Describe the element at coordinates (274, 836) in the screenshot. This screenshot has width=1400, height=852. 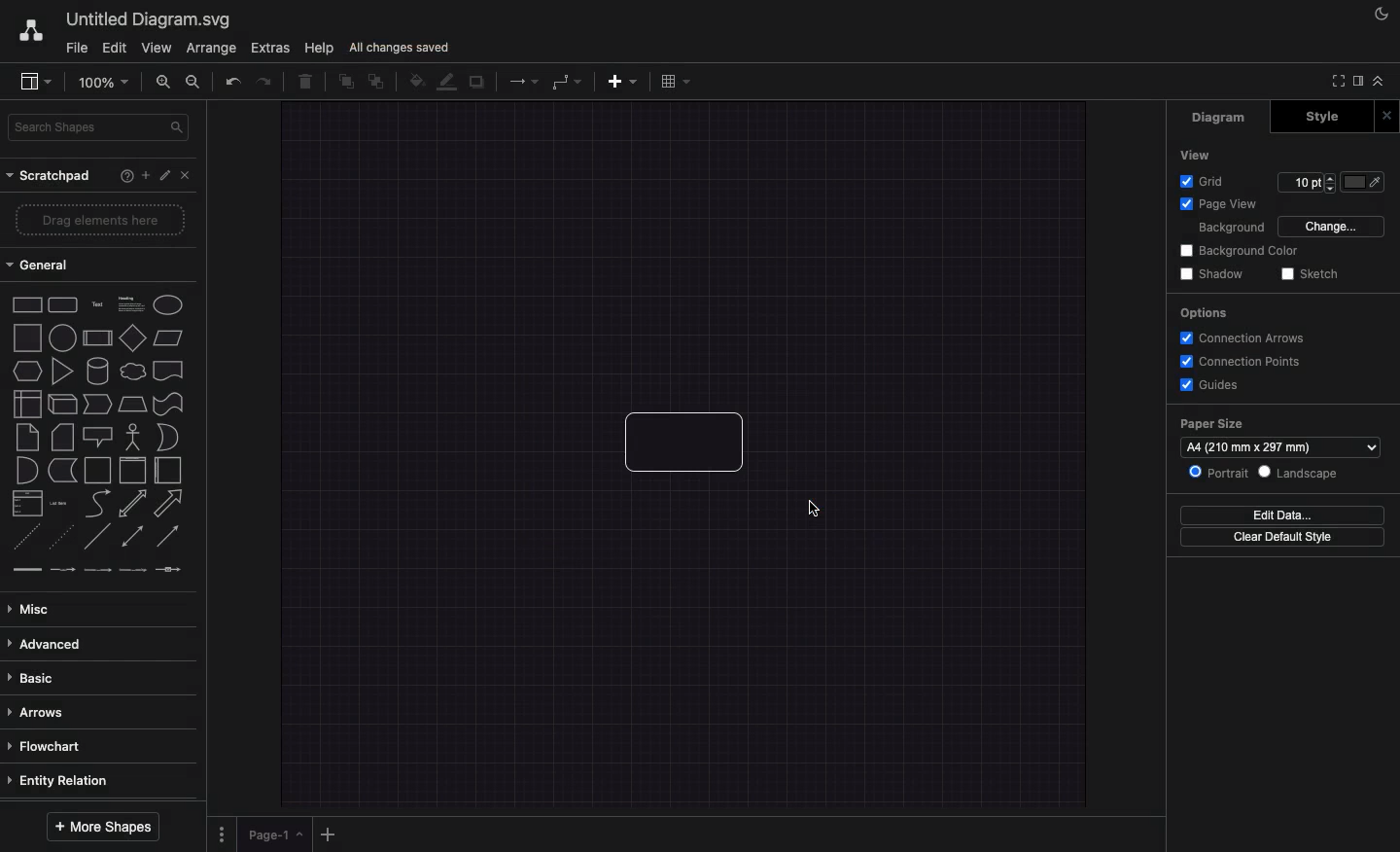
I see `Page 1` at that location.